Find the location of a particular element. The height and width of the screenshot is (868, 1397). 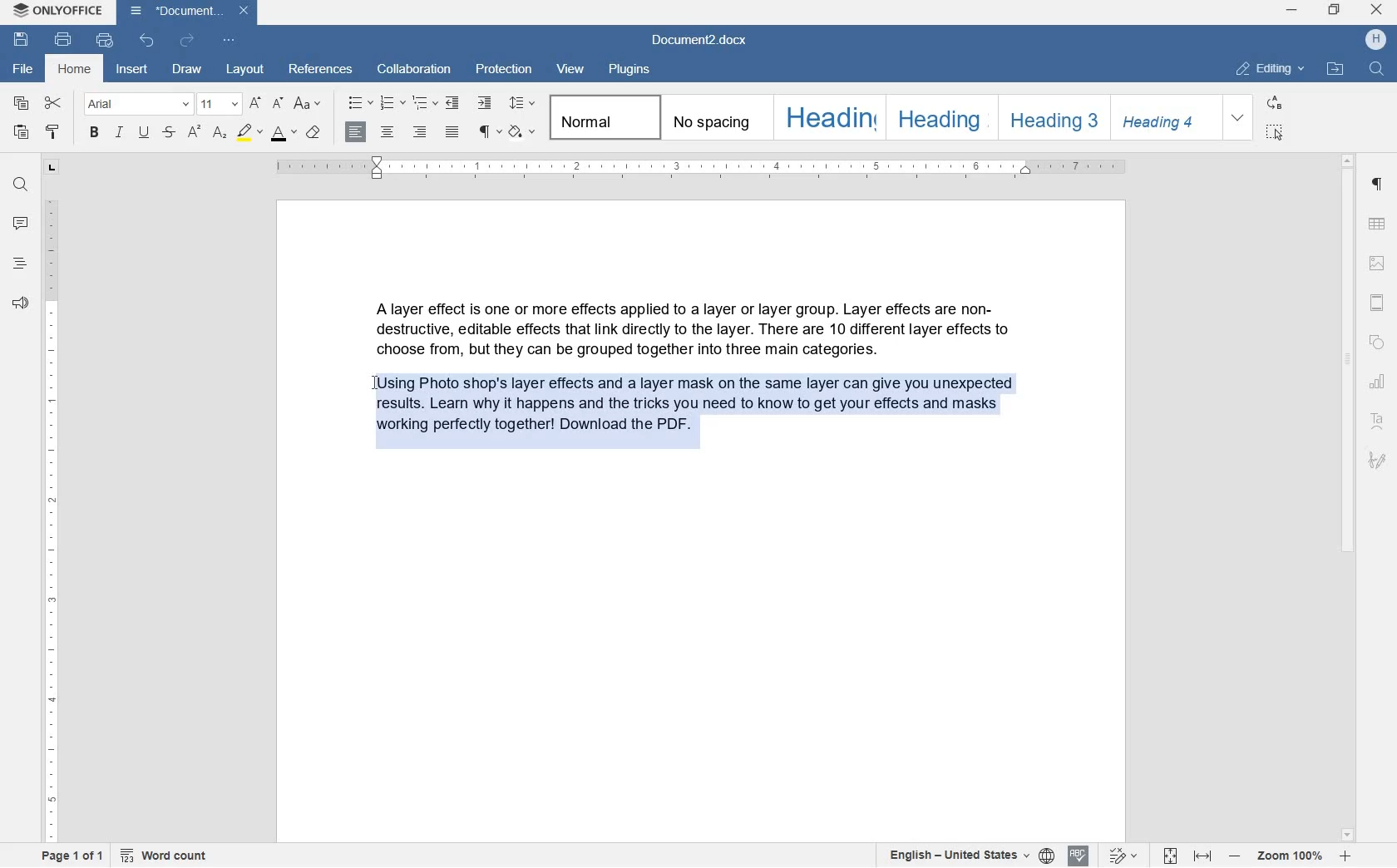

JUSTIFIED is located at coordinates (452, 133).